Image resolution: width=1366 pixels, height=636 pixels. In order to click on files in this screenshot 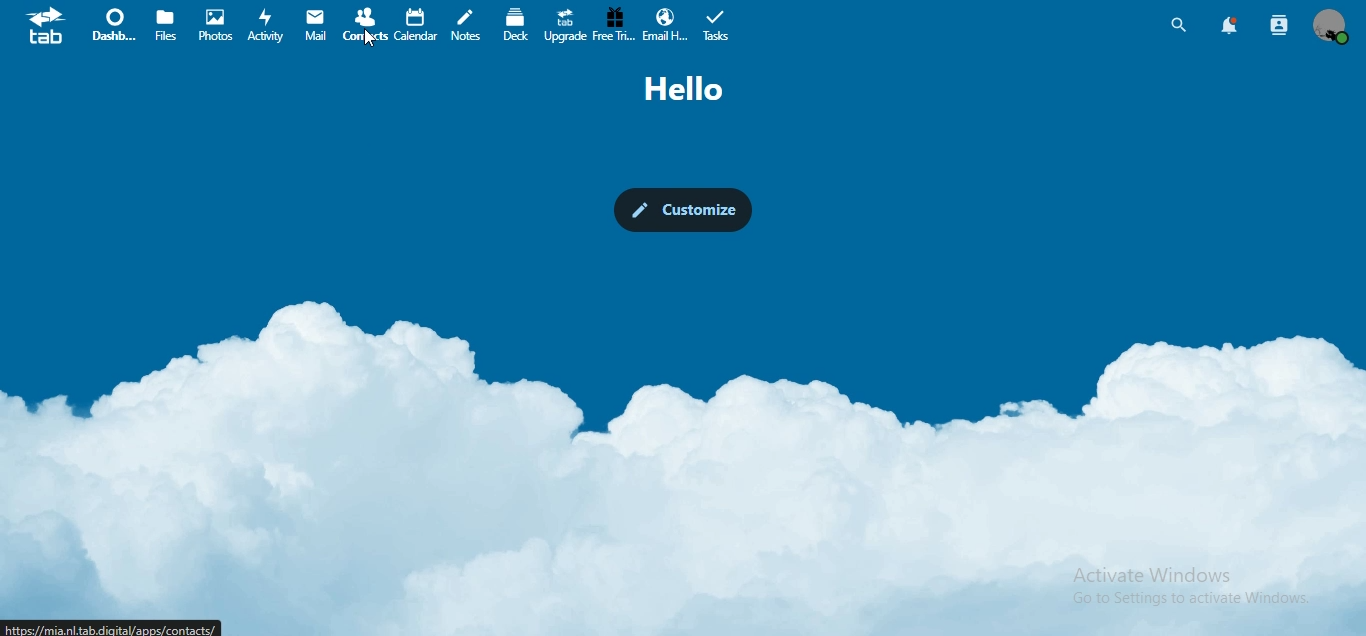, I will do `click(168, 24)`.